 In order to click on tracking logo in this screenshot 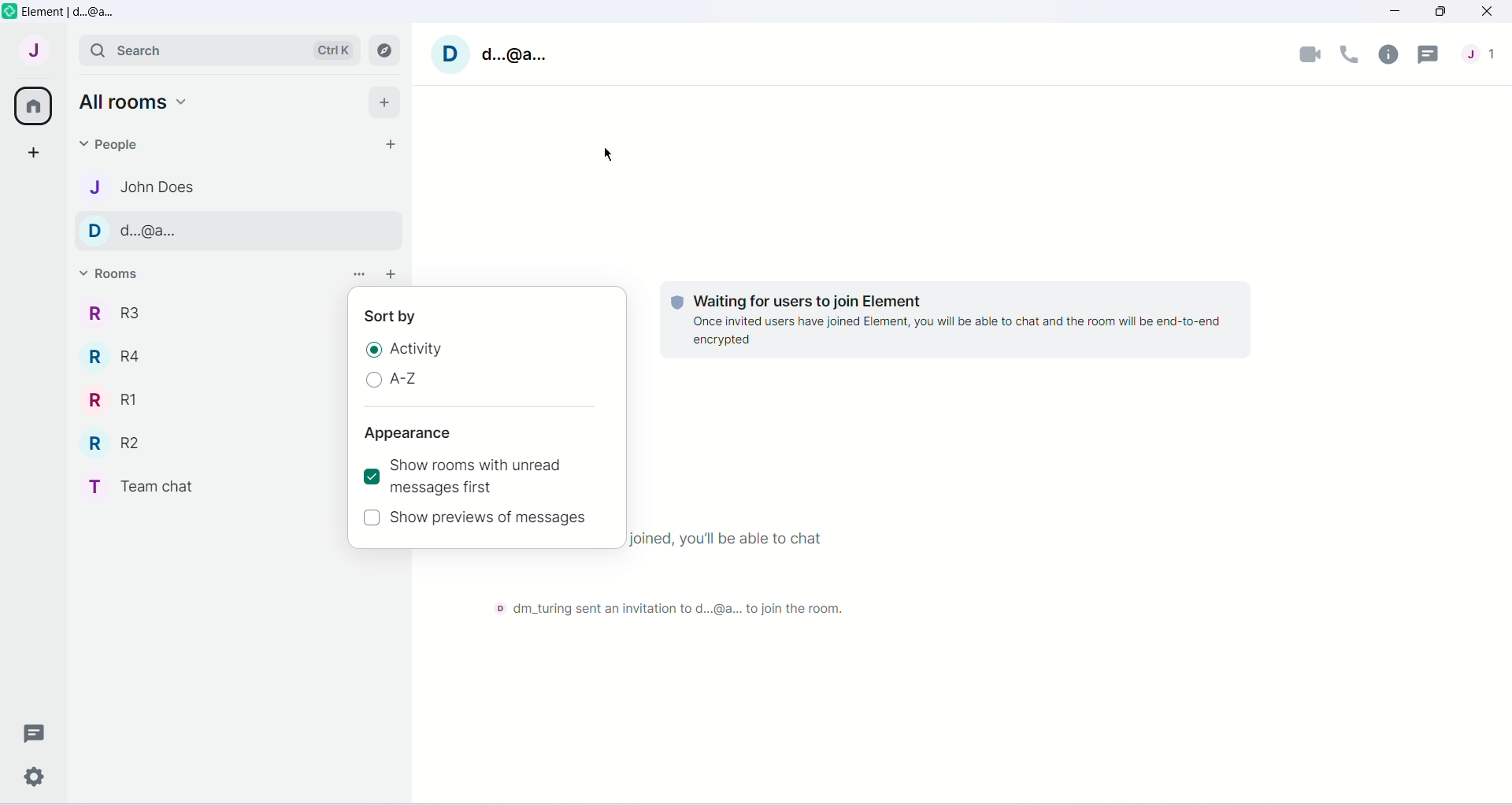, I will do `click(674, 302)`.